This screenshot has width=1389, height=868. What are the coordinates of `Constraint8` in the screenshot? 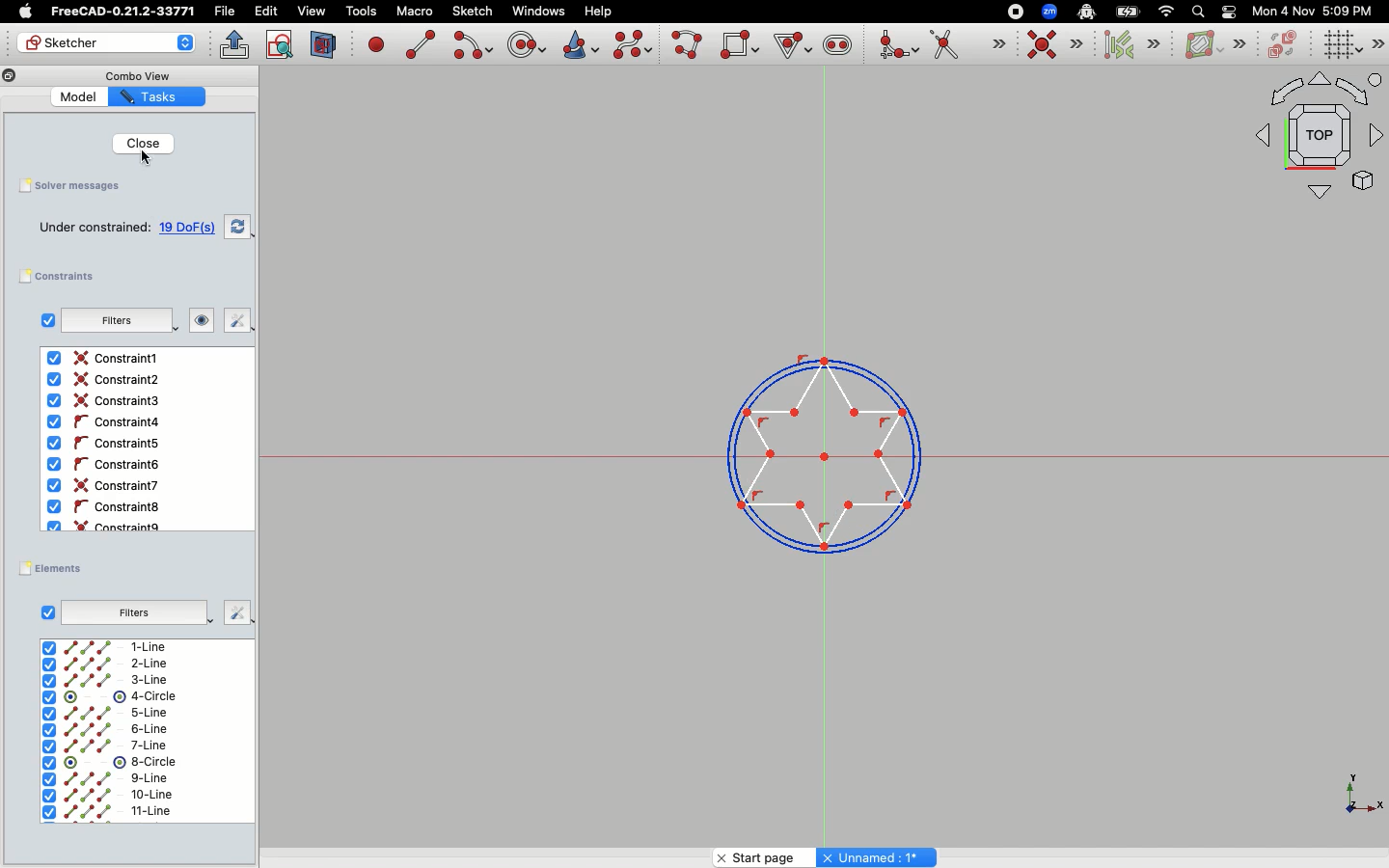 It's located at (106, 507).